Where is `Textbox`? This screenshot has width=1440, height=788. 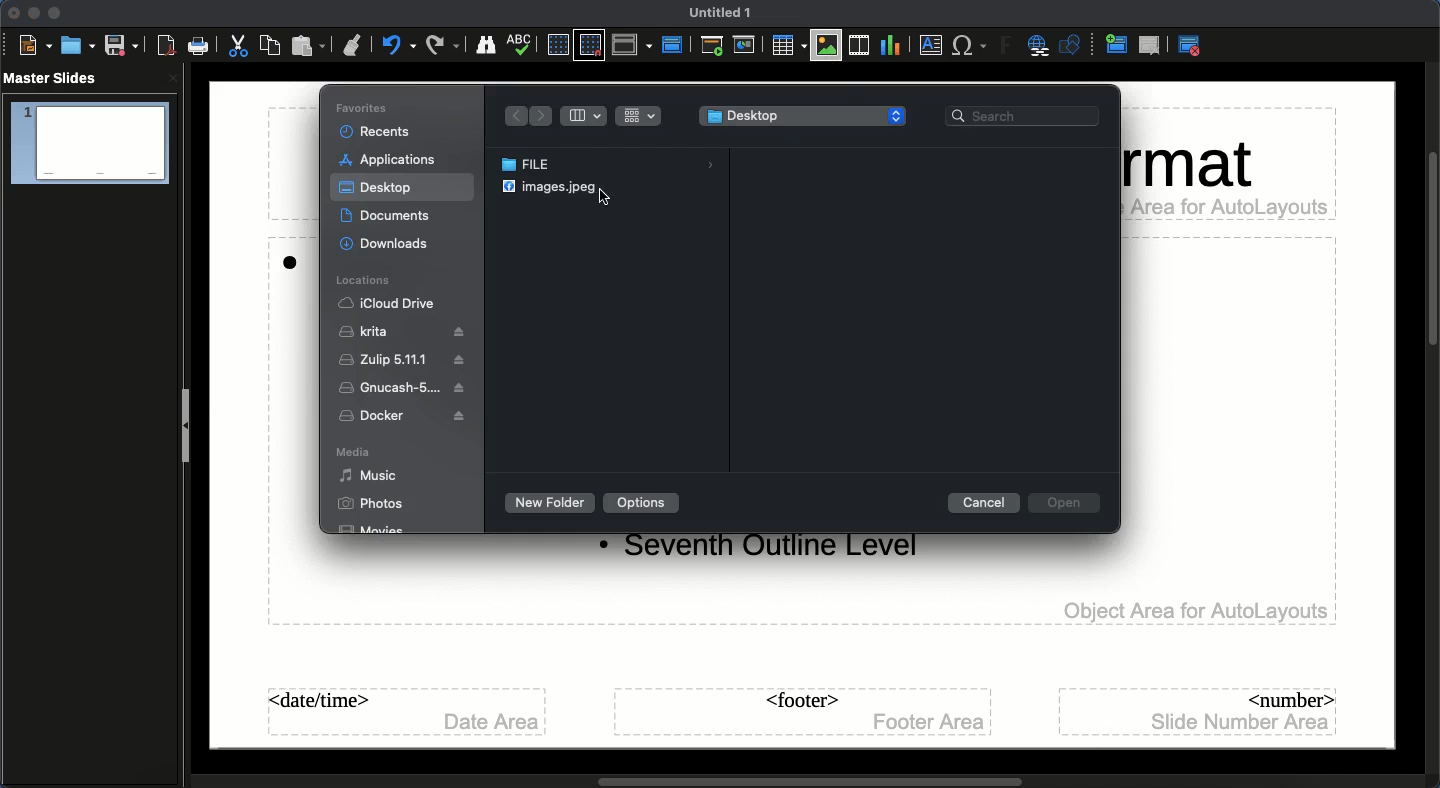
Textbox is located at coordinates (929, 46).